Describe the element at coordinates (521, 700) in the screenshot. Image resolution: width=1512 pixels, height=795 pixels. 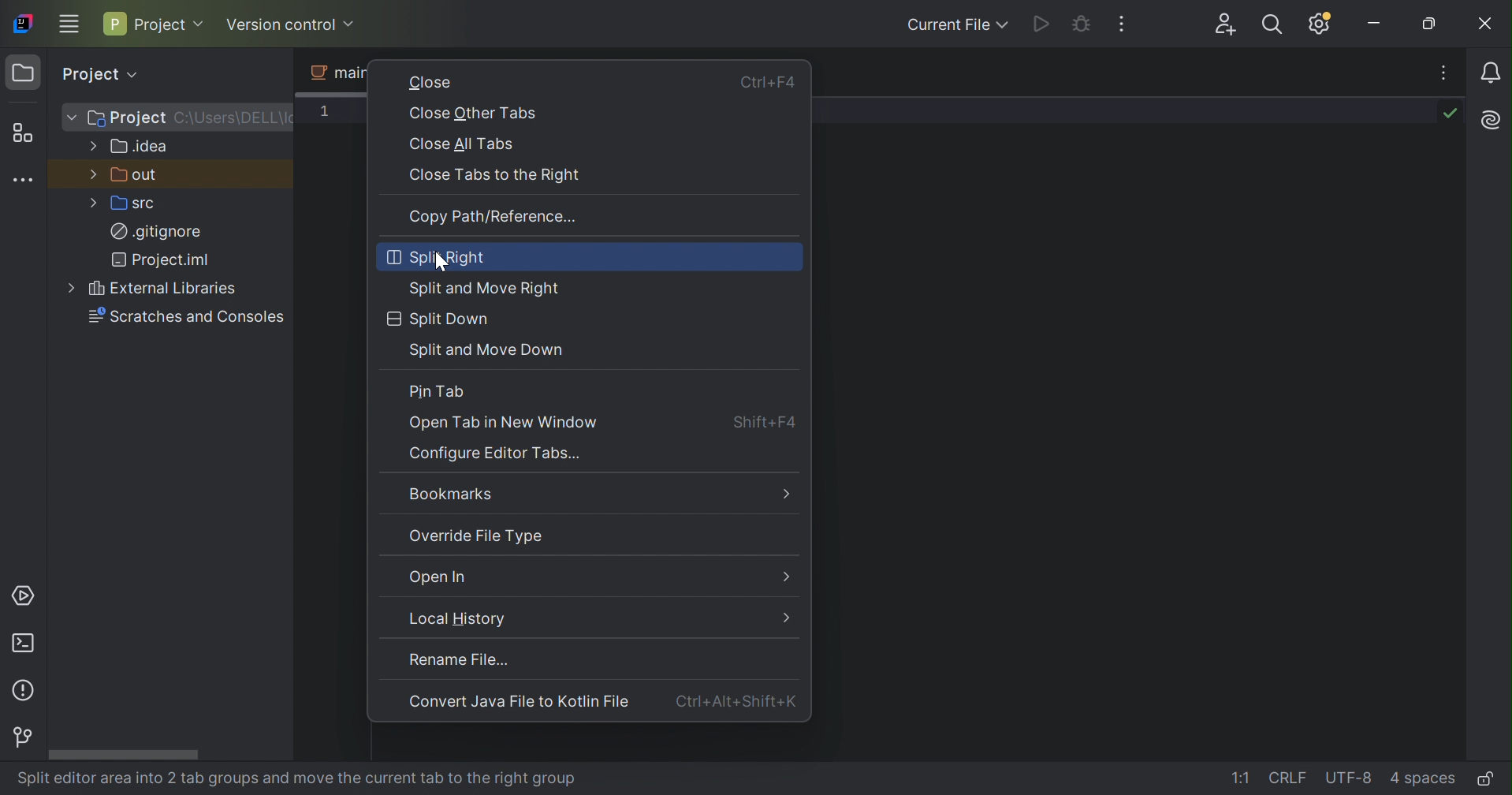
I see `Convert Java file to Kotlin file` at that location.